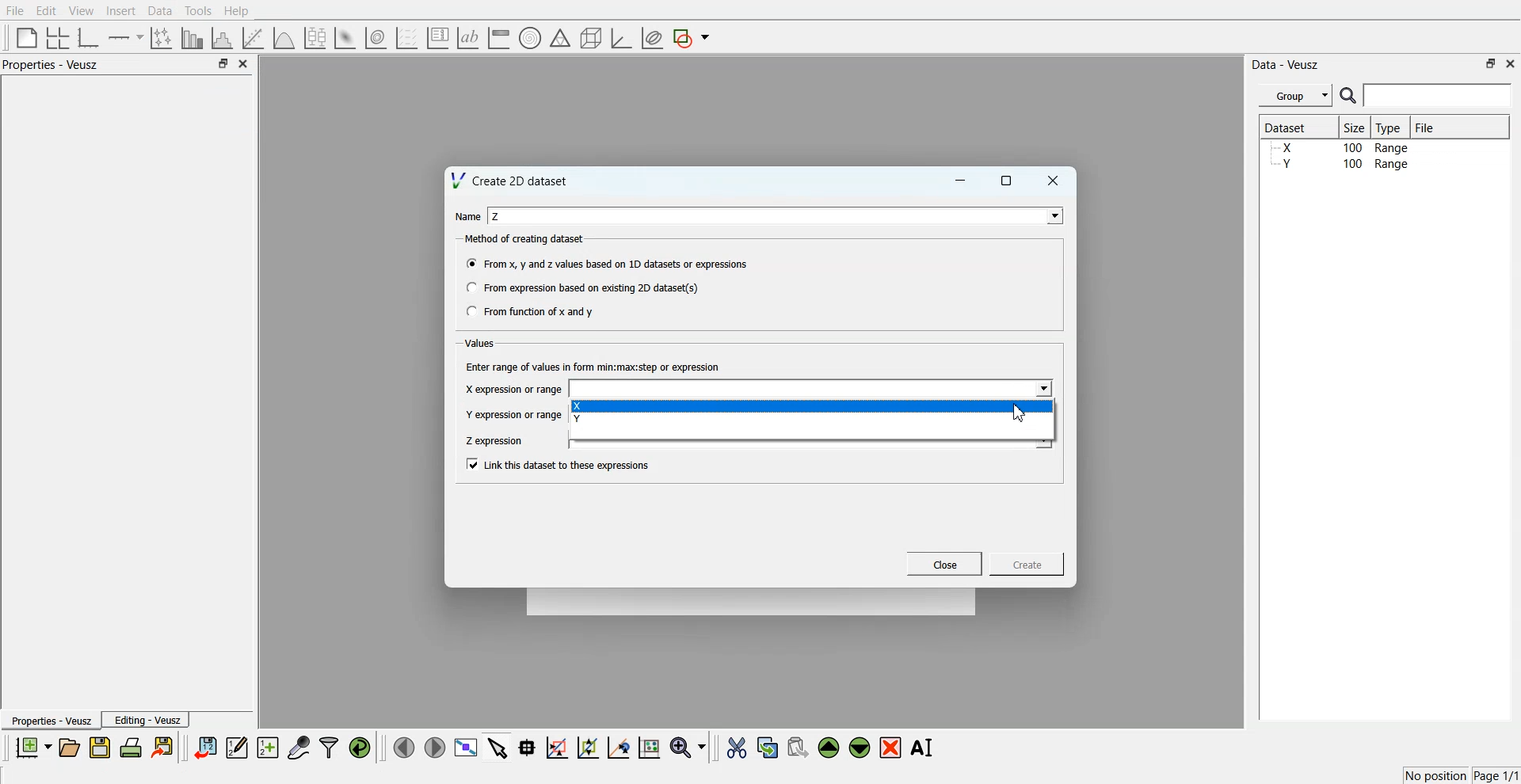  What do you see at coordinates (691, 38) in the screenshot?
I see `Add shape to the plot` at bounding box center [691, 38].